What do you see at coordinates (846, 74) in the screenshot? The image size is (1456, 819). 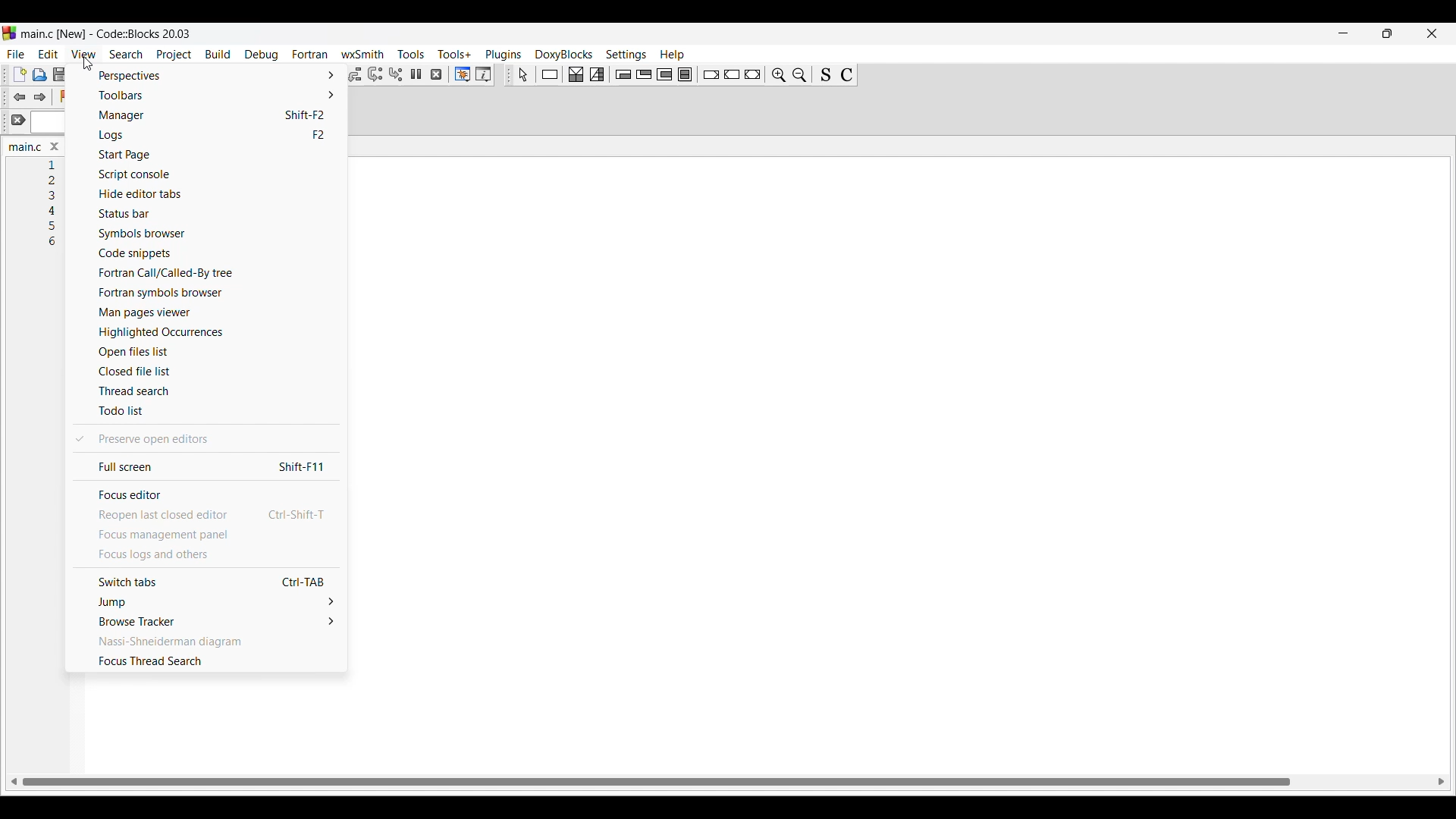 I see `Toggle comments` at bounding box center [846, 74].